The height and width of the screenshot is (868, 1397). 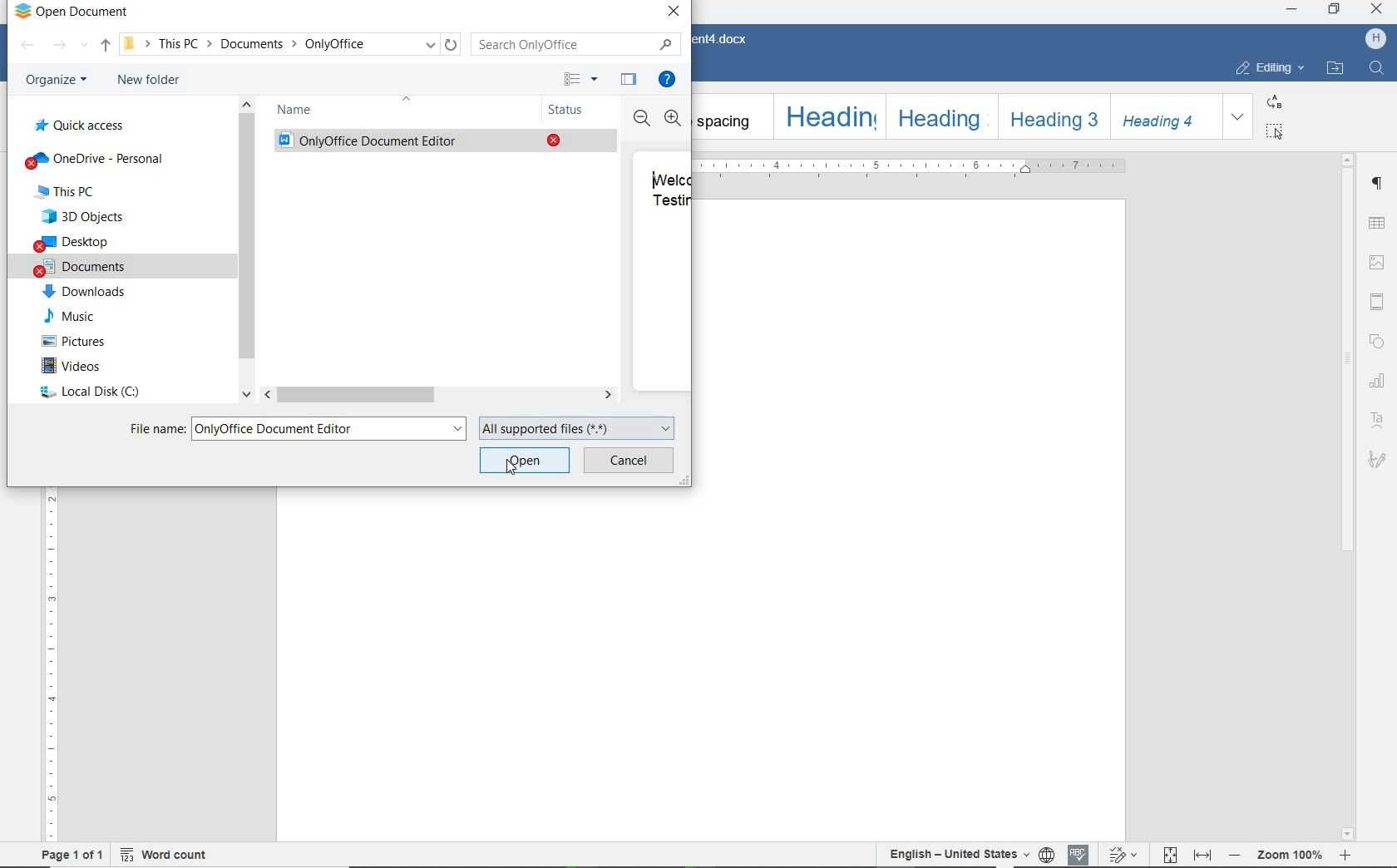 What do you see at coordinates (1273, 102) in the screenshot?
I see `replace` at bounding box center [1273, 102].